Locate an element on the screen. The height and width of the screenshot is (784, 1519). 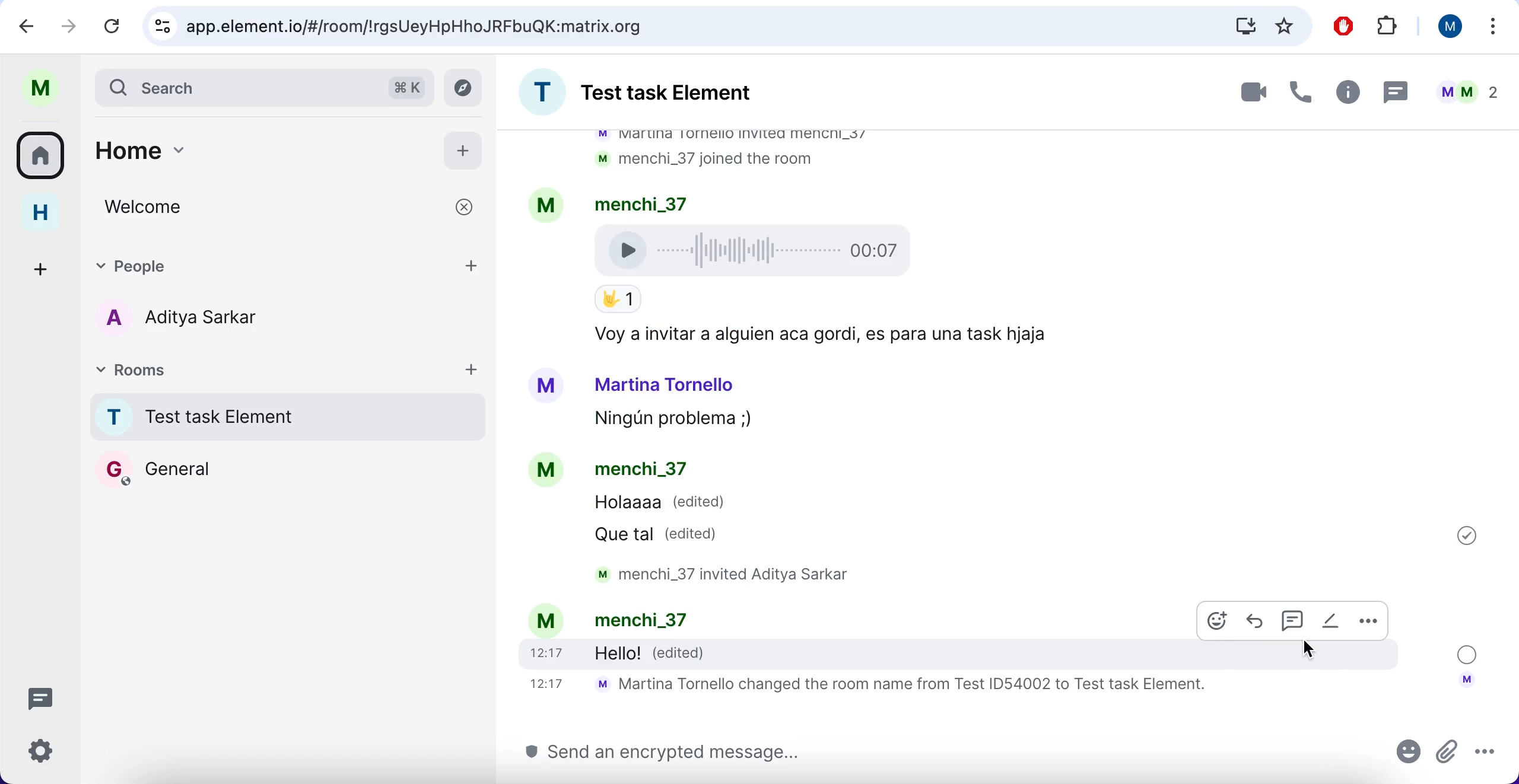
emoji is located at coordinates (1218, 620).